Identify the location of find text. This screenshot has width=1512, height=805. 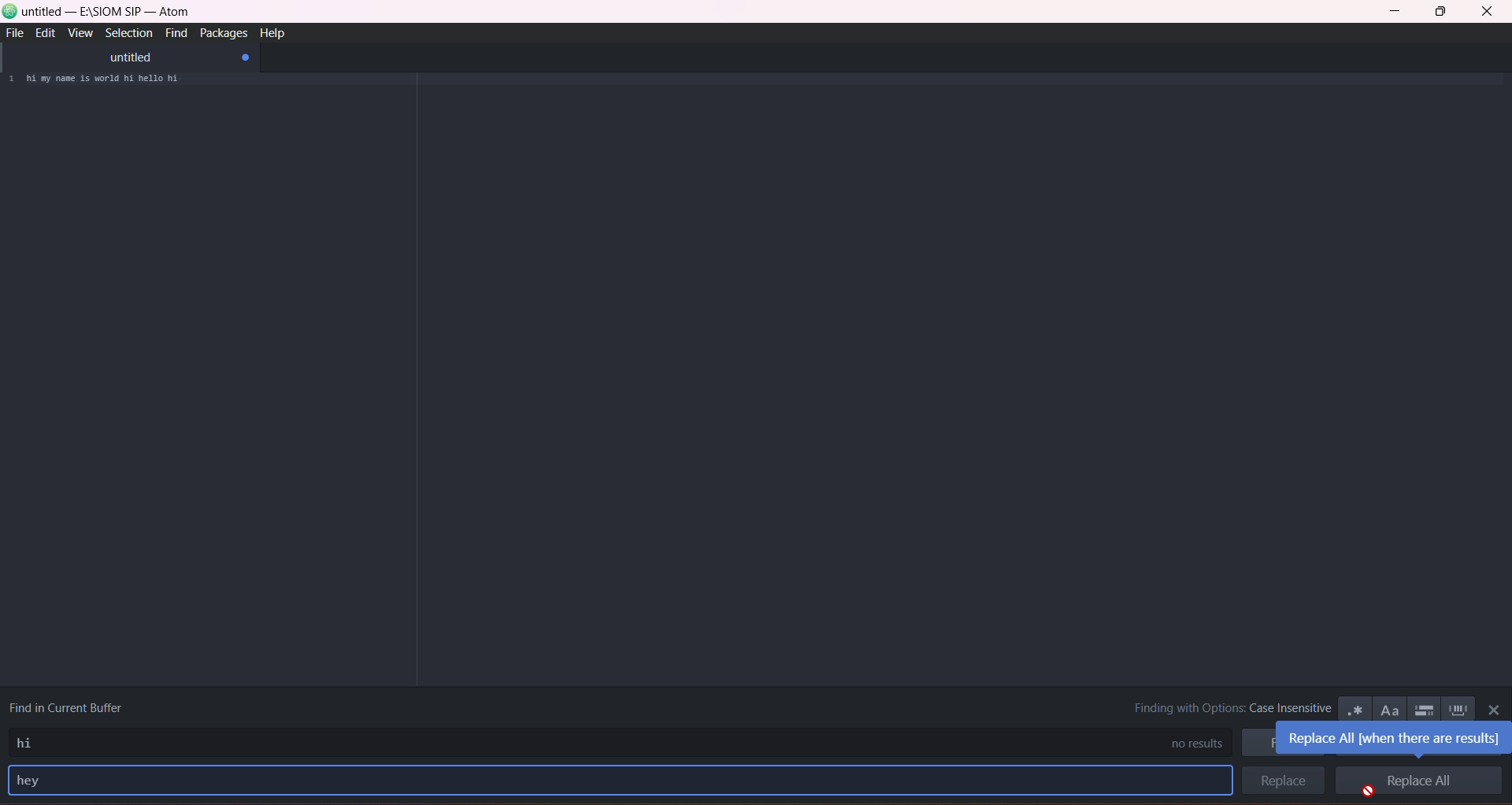
(32, 742).